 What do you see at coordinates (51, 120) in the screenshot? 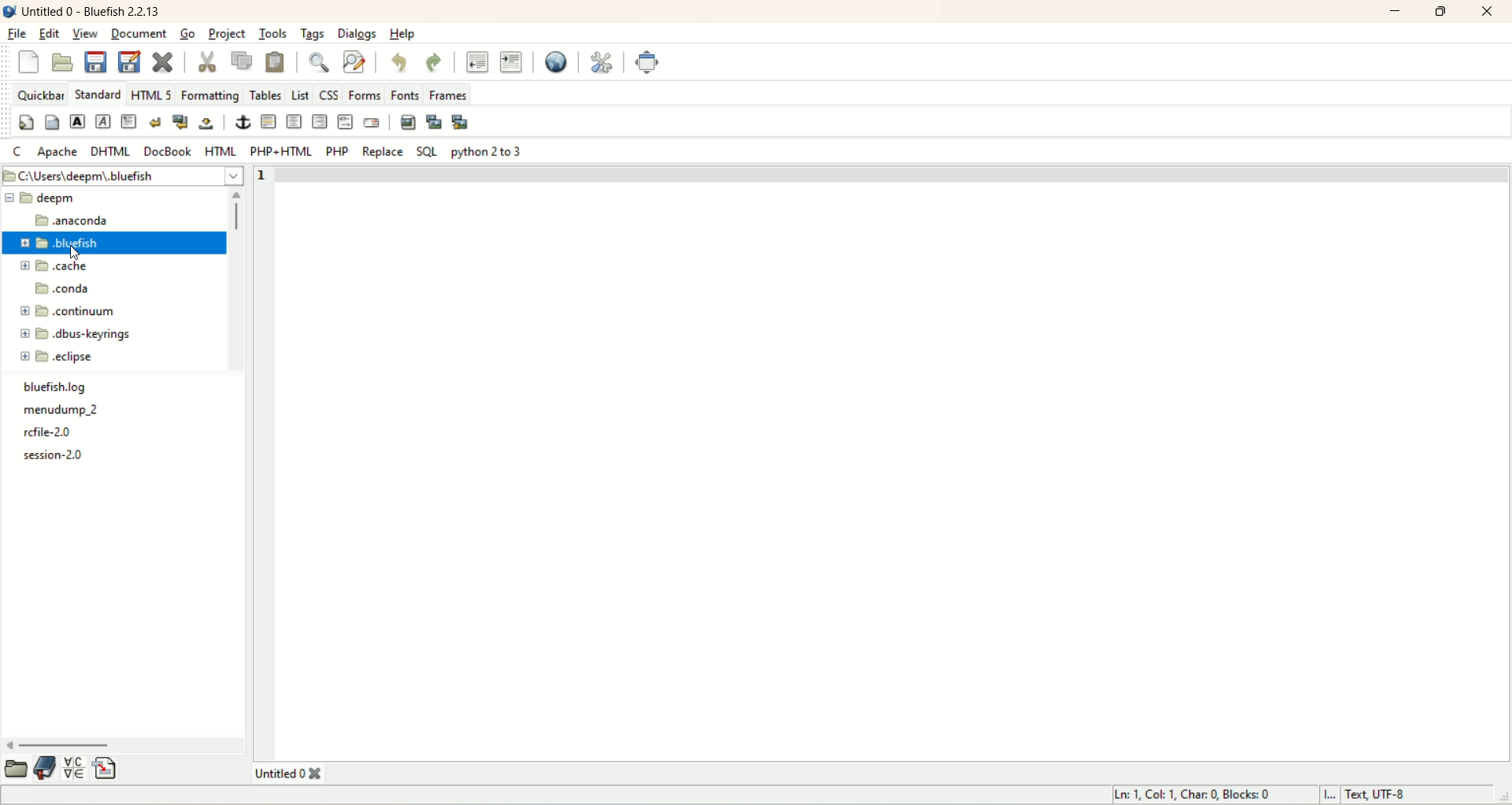
I see `body` at bounding box center [51, 120].